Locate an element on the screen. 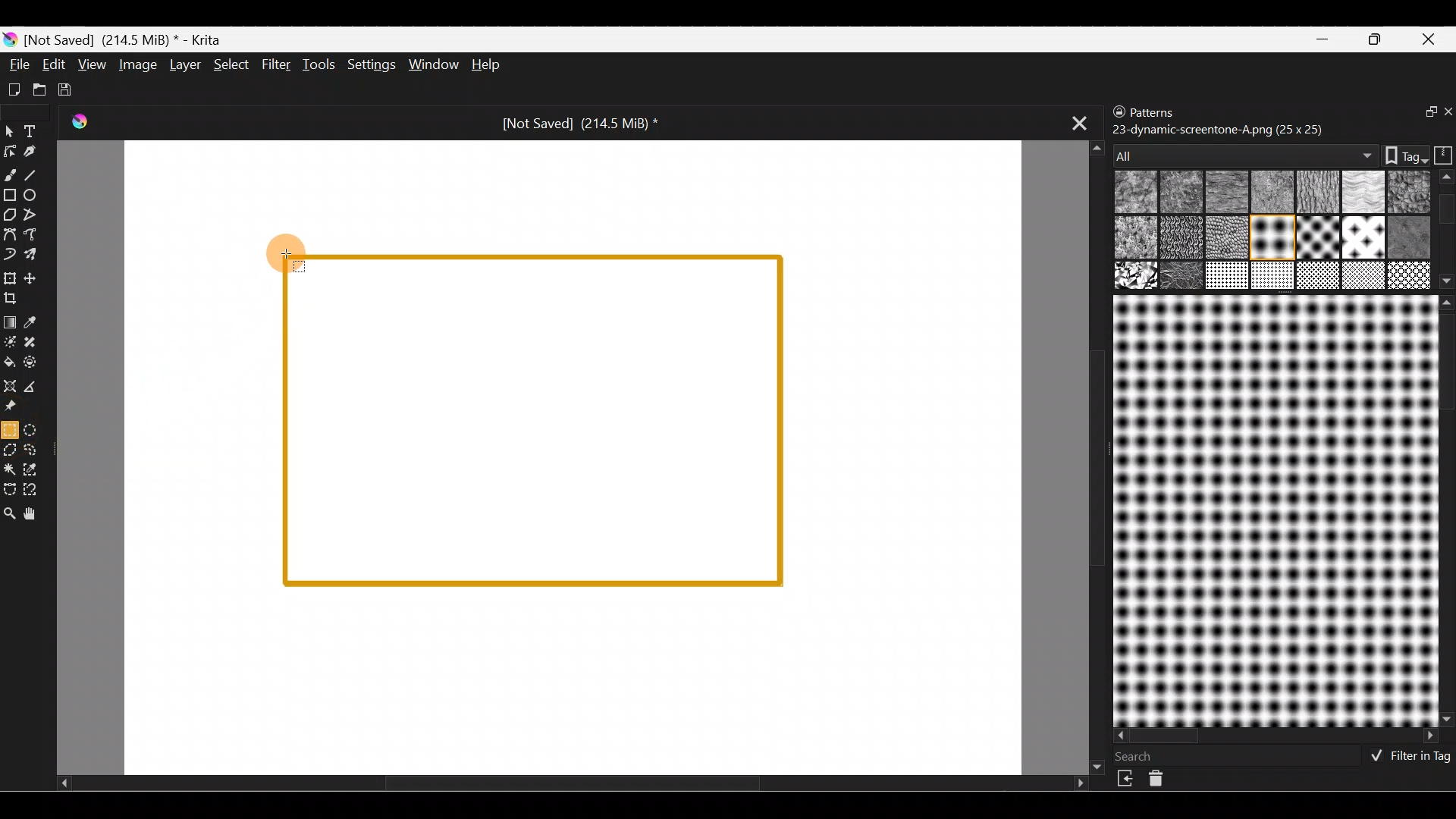 This screenshot has width=1456, height=819. Settings is located at coordinates (369, 65).